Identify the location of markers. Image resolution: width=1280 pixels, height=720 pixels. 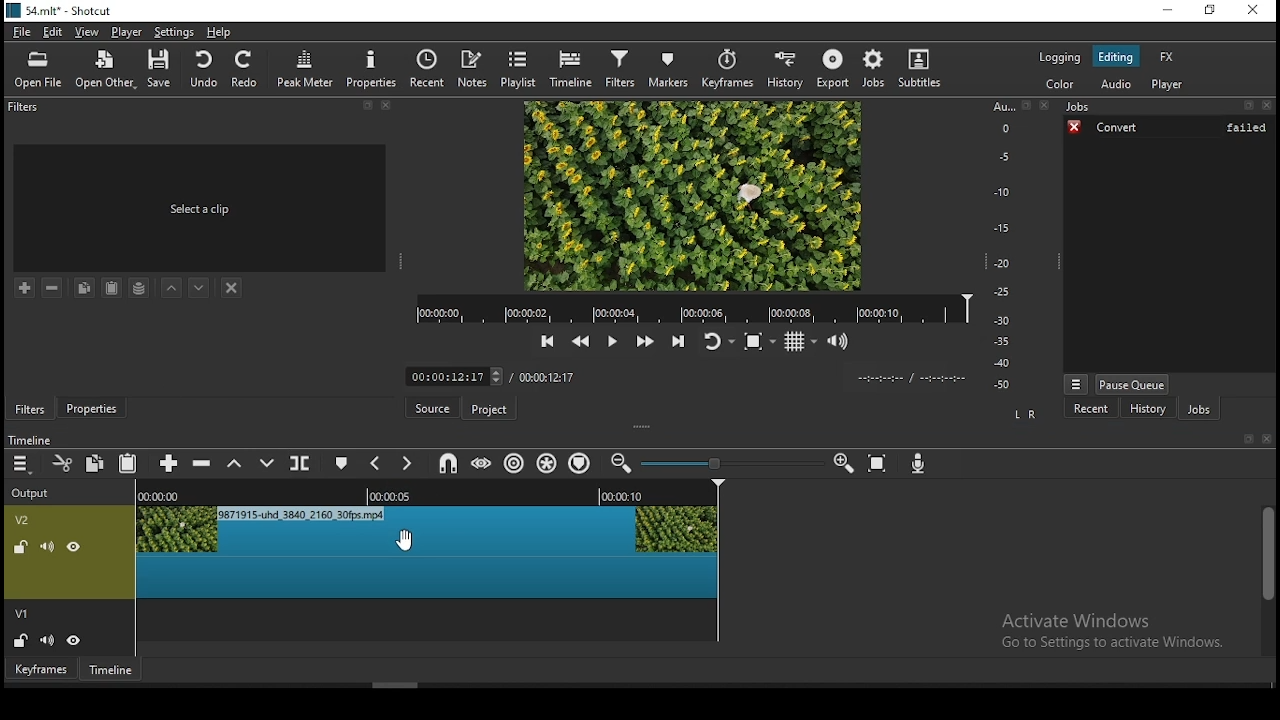
(673, 69).